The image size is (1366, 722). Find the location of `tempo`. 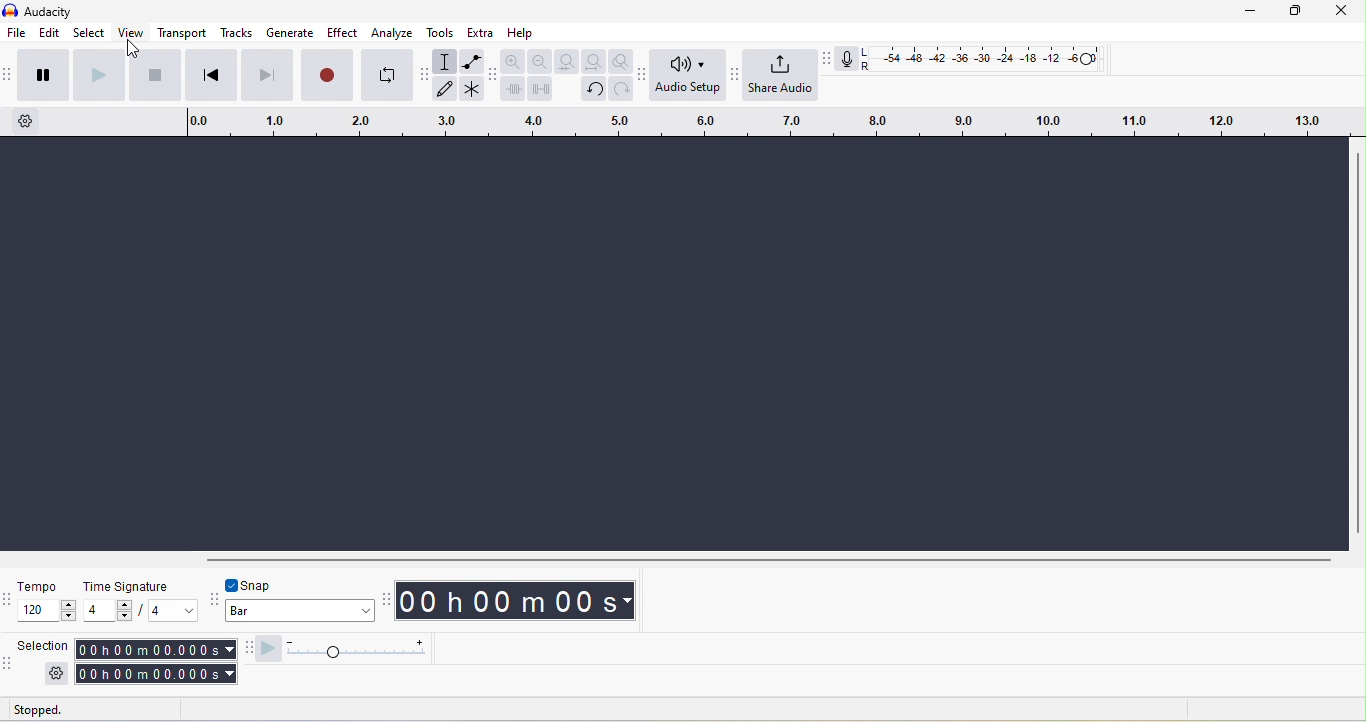

tempo is located at coordinates (40, 586).